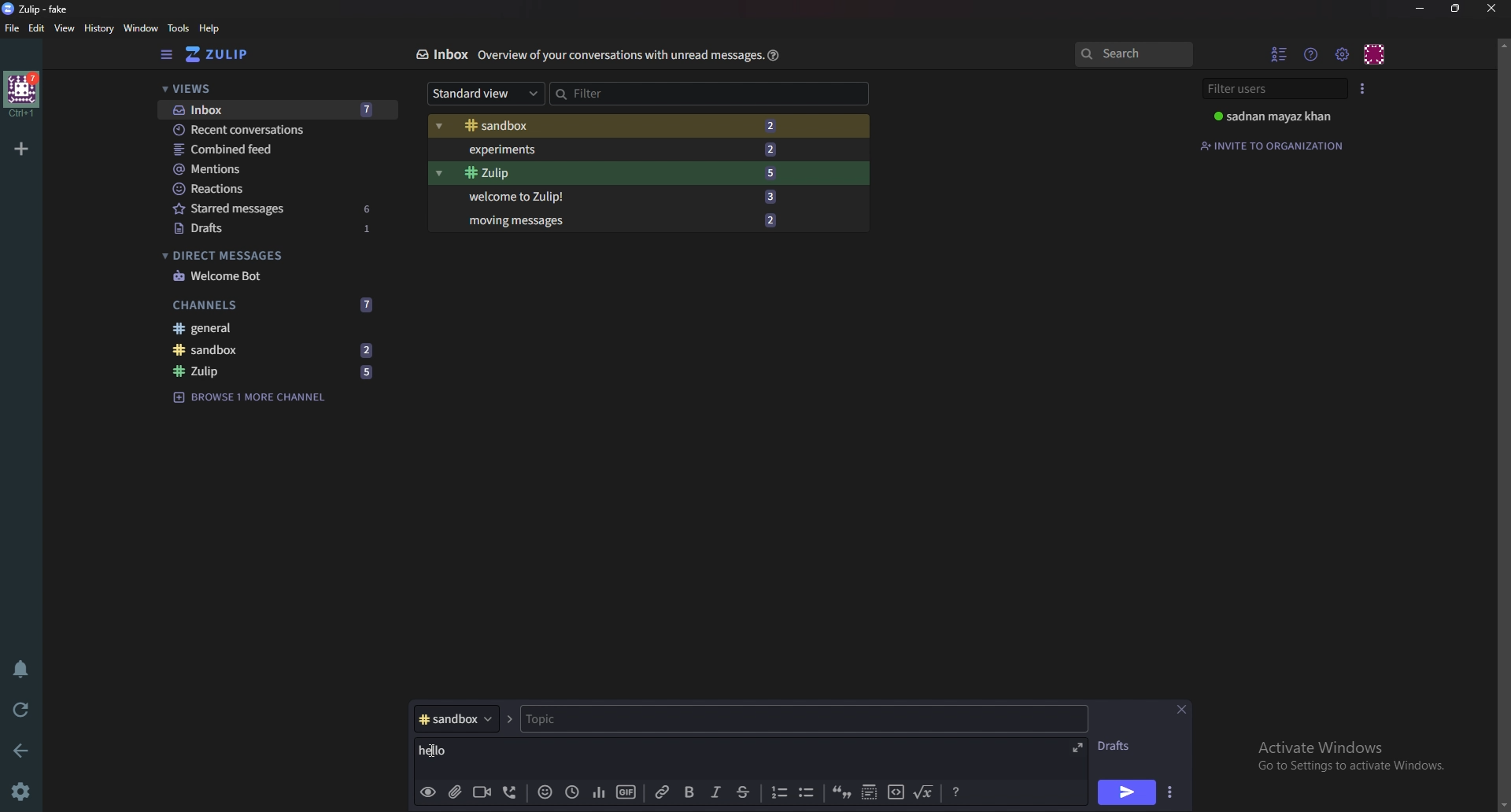 This screenshot has width=1511, height=812. What do you see at coordinates (99, 30) in the screenshot?
I see `History` at bounding box center [99, 30].